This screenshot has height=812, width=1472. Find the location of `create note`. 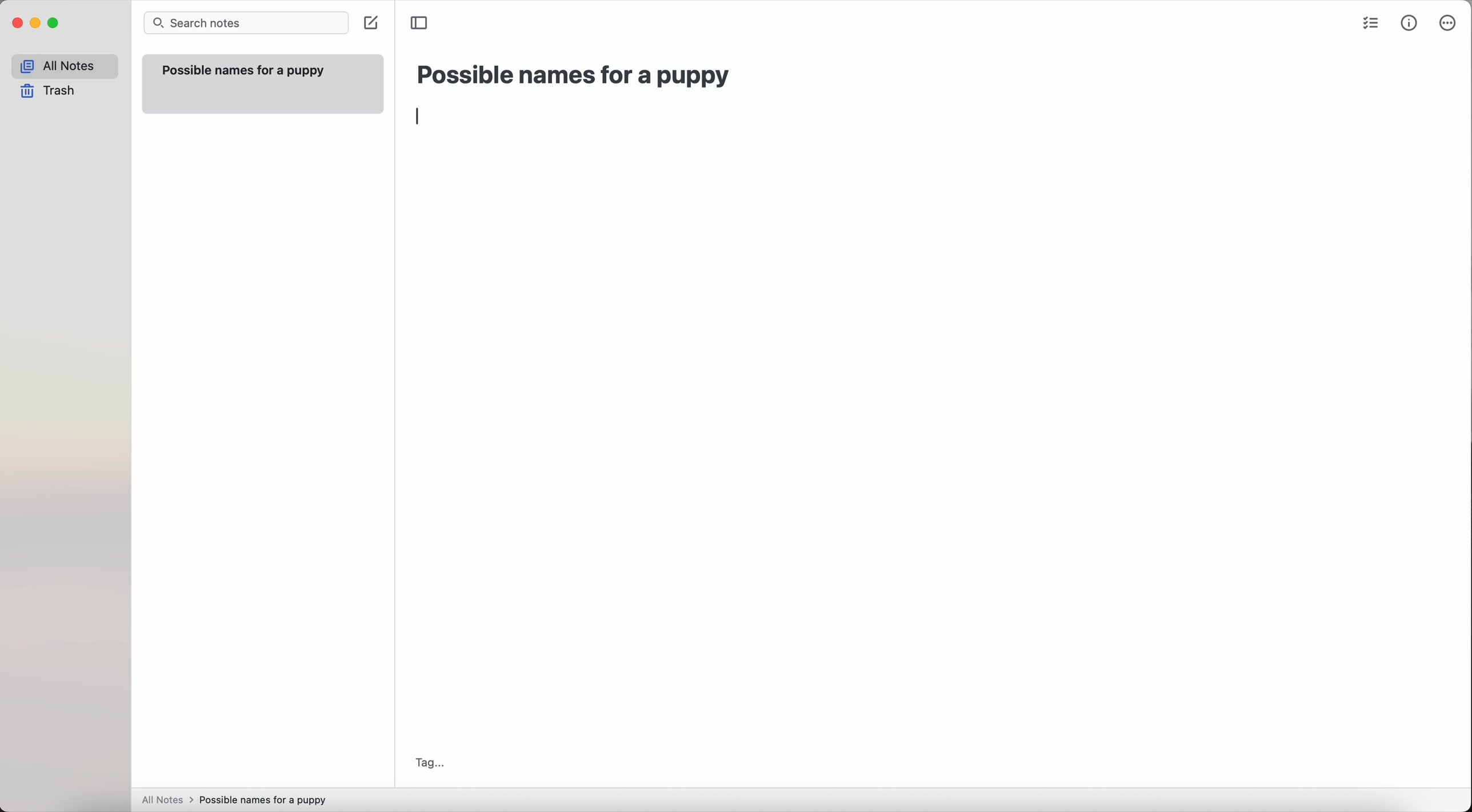

create note is located at coordinates (370, 24).